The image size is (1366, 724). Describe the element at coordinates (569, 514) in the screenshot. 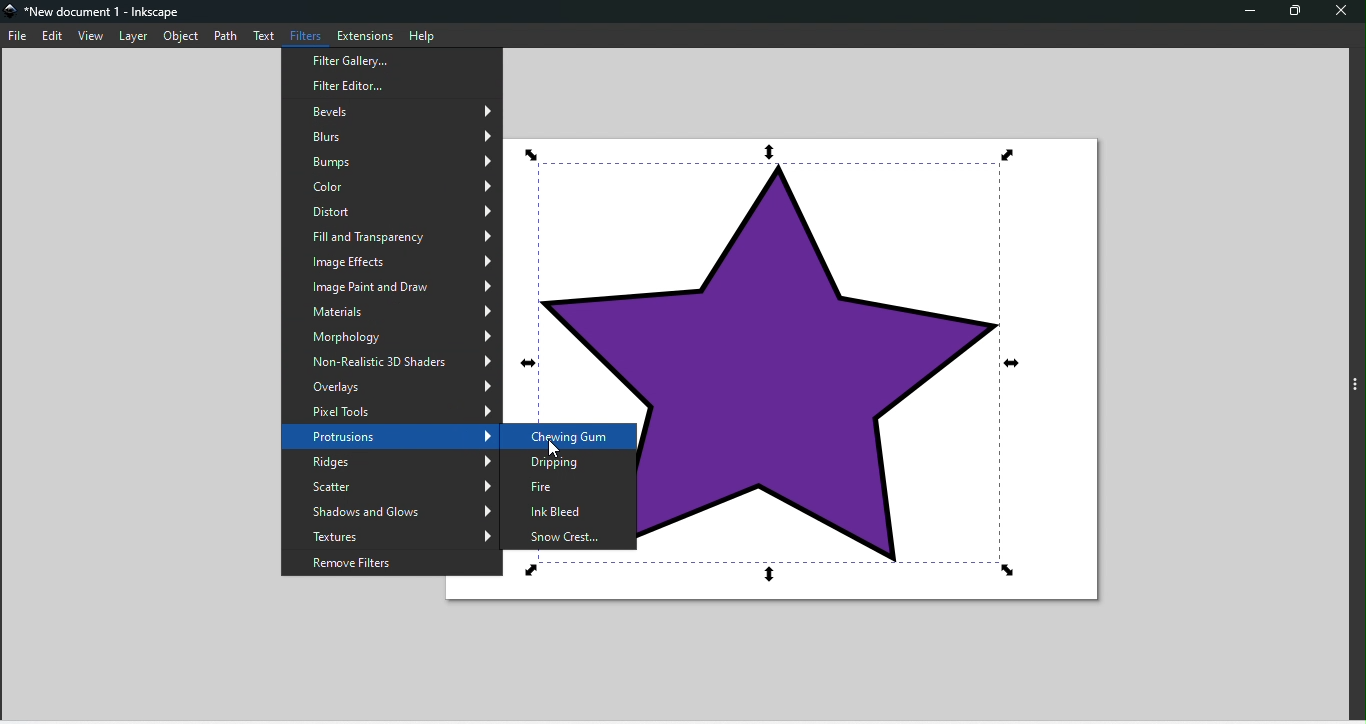

I see `Ink Bleed` at that location.